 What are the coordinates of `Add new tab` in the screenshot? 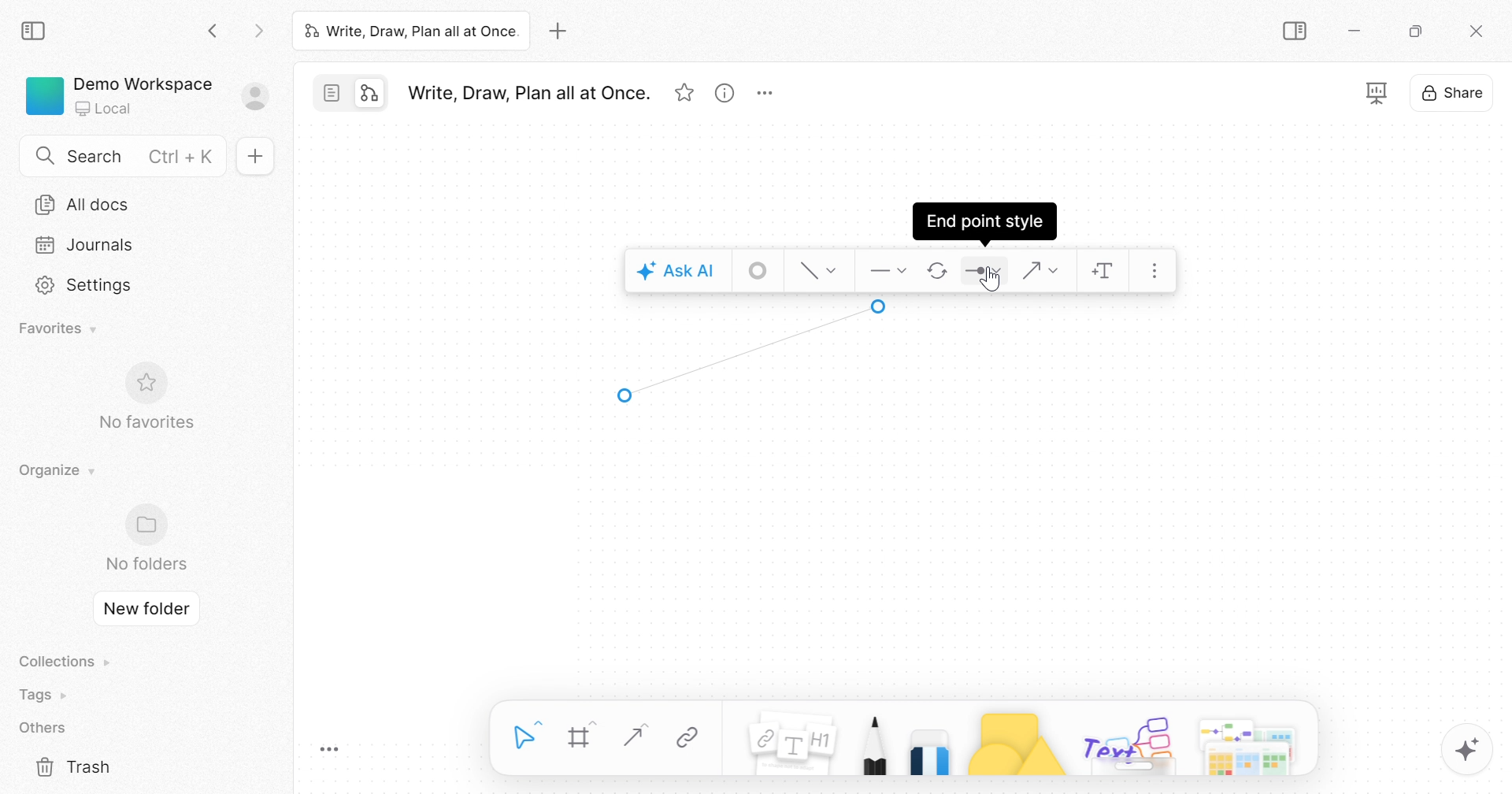 It's located at (561, 31).